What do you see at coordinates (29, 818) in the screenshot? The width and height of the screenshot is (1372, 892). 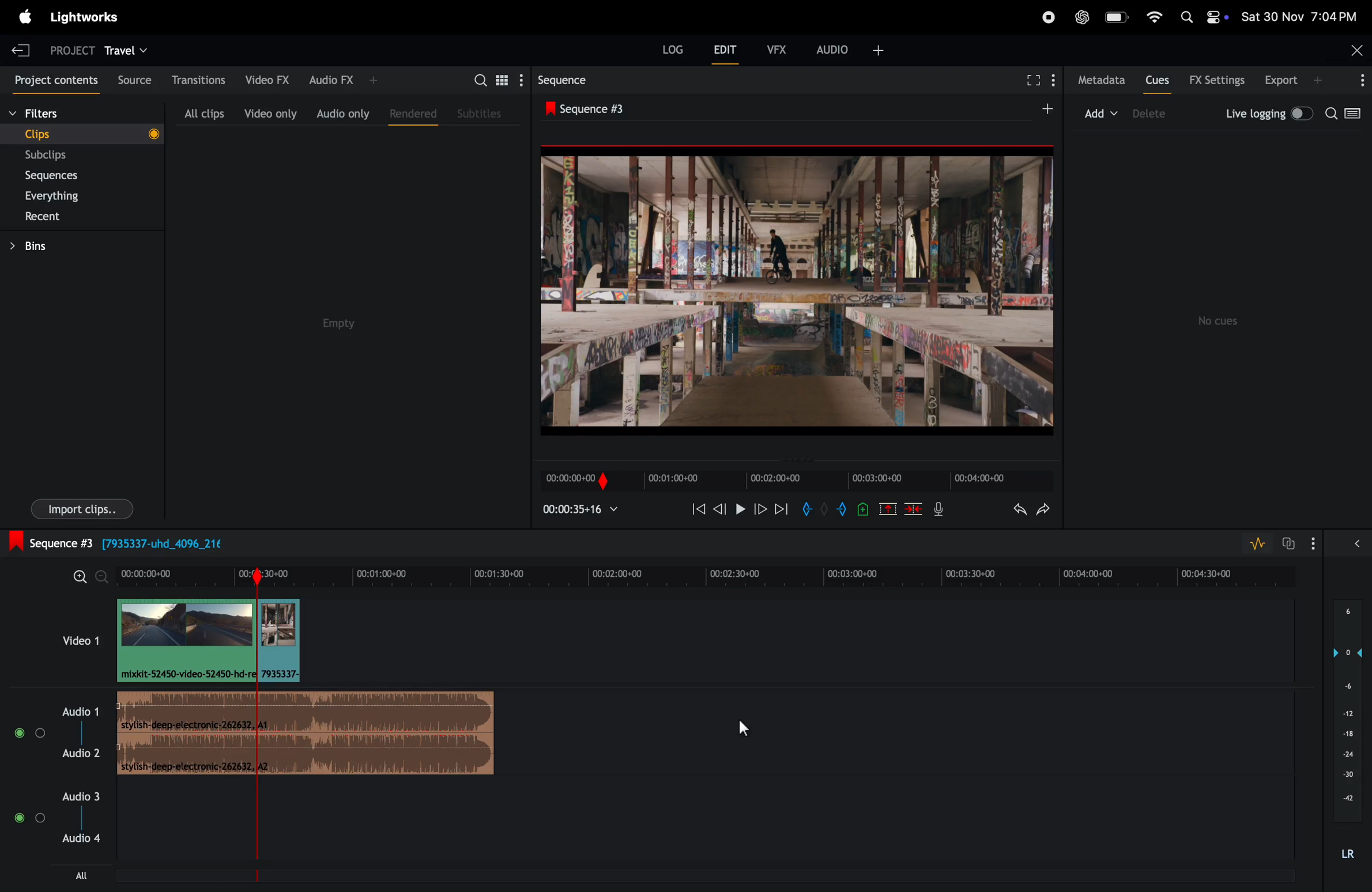 I see `Audio` at bounding box center [29, 818].